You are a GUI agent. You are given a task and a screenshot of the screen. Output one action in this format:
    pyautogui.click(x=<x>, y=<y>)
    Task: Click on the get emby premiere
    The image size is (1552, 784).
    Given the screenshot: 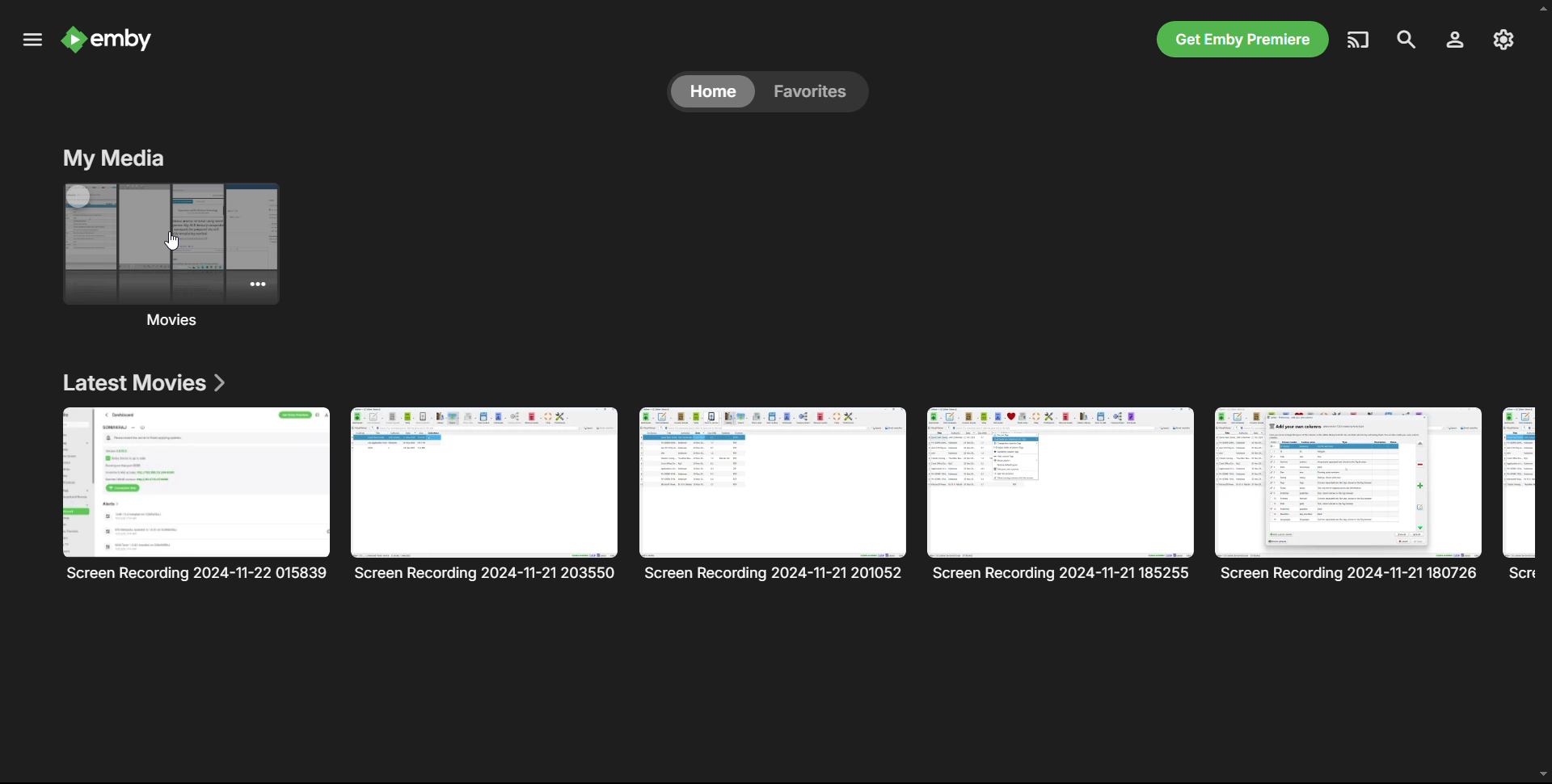 What is the action you would take?
    pyautogui.click(x=1243, y=40)
    